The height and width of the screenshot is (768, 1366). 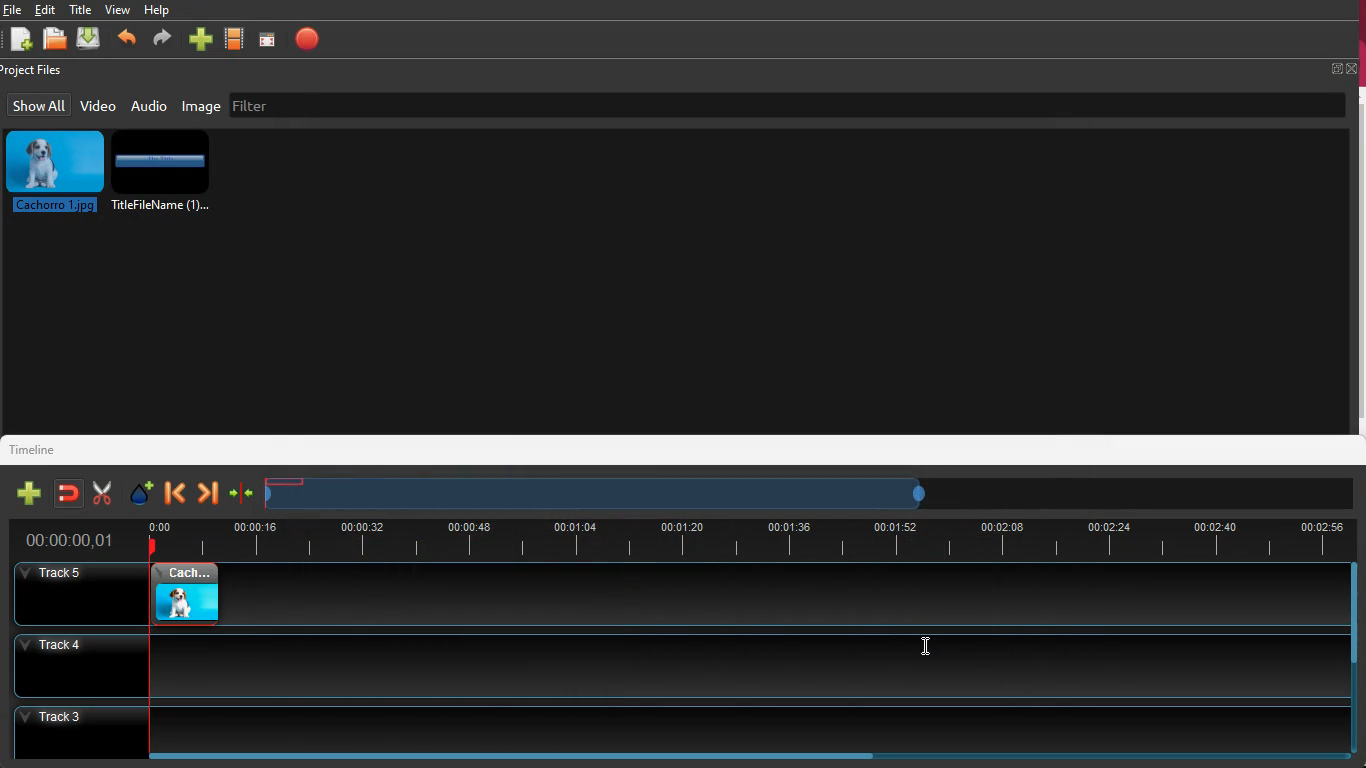 I want to click on add, so click(x=200, y=41).